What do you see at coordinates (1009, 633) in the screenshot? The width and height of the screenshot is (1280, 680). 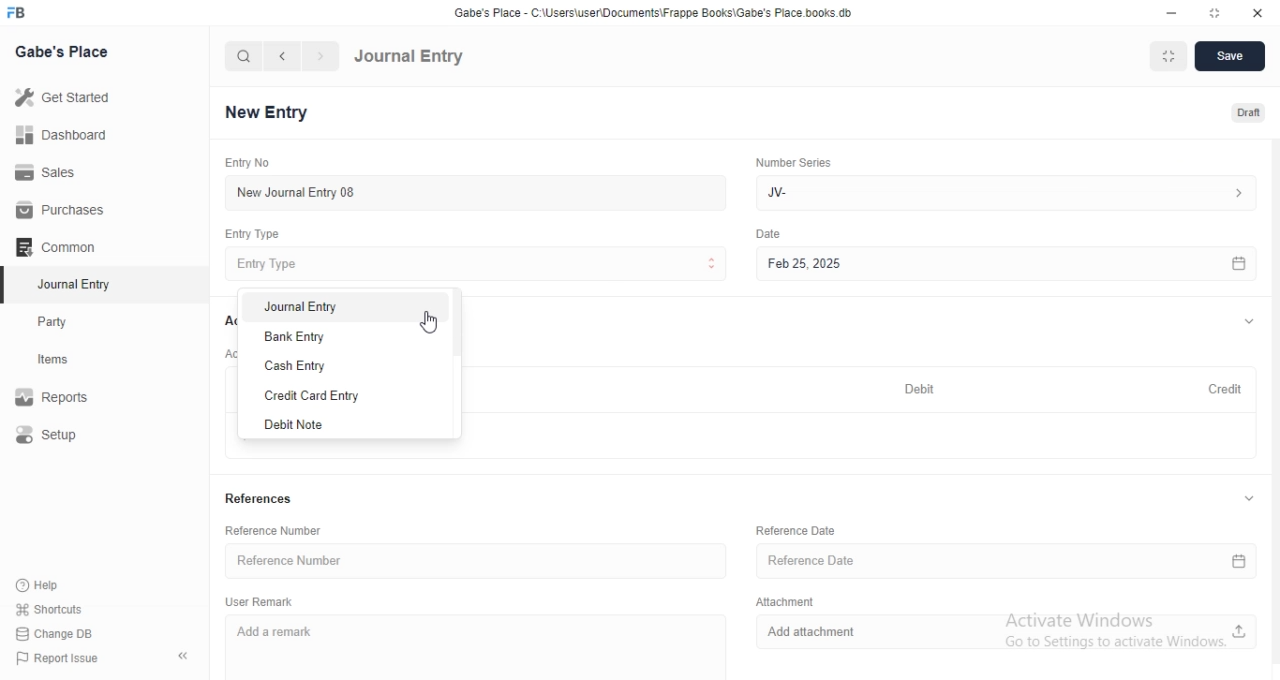 I see `Add attachment` at bounding box center [1009, 633].